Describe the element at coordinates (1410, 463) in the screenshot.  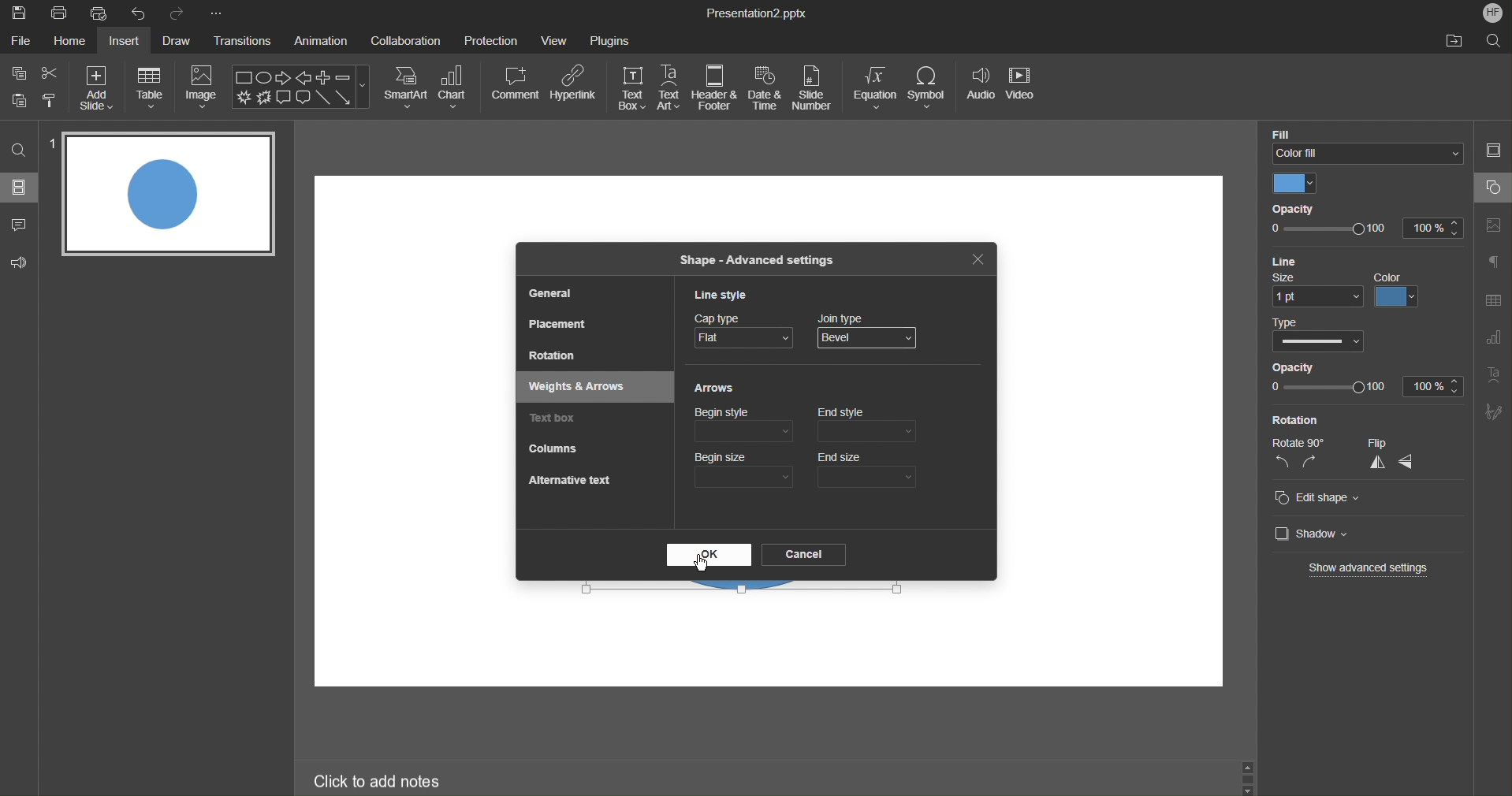
I see `horizontal` at that location.